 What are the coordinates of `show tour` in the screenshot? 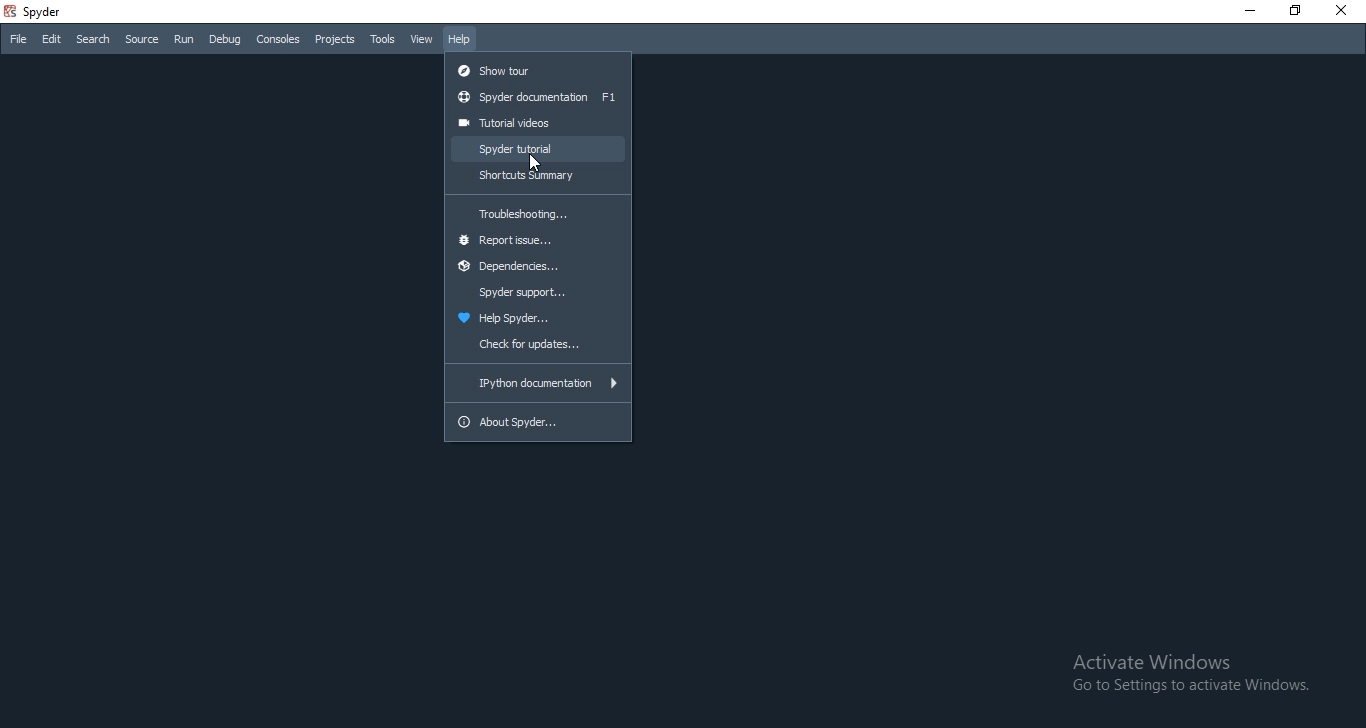 It's located at (537, 67).